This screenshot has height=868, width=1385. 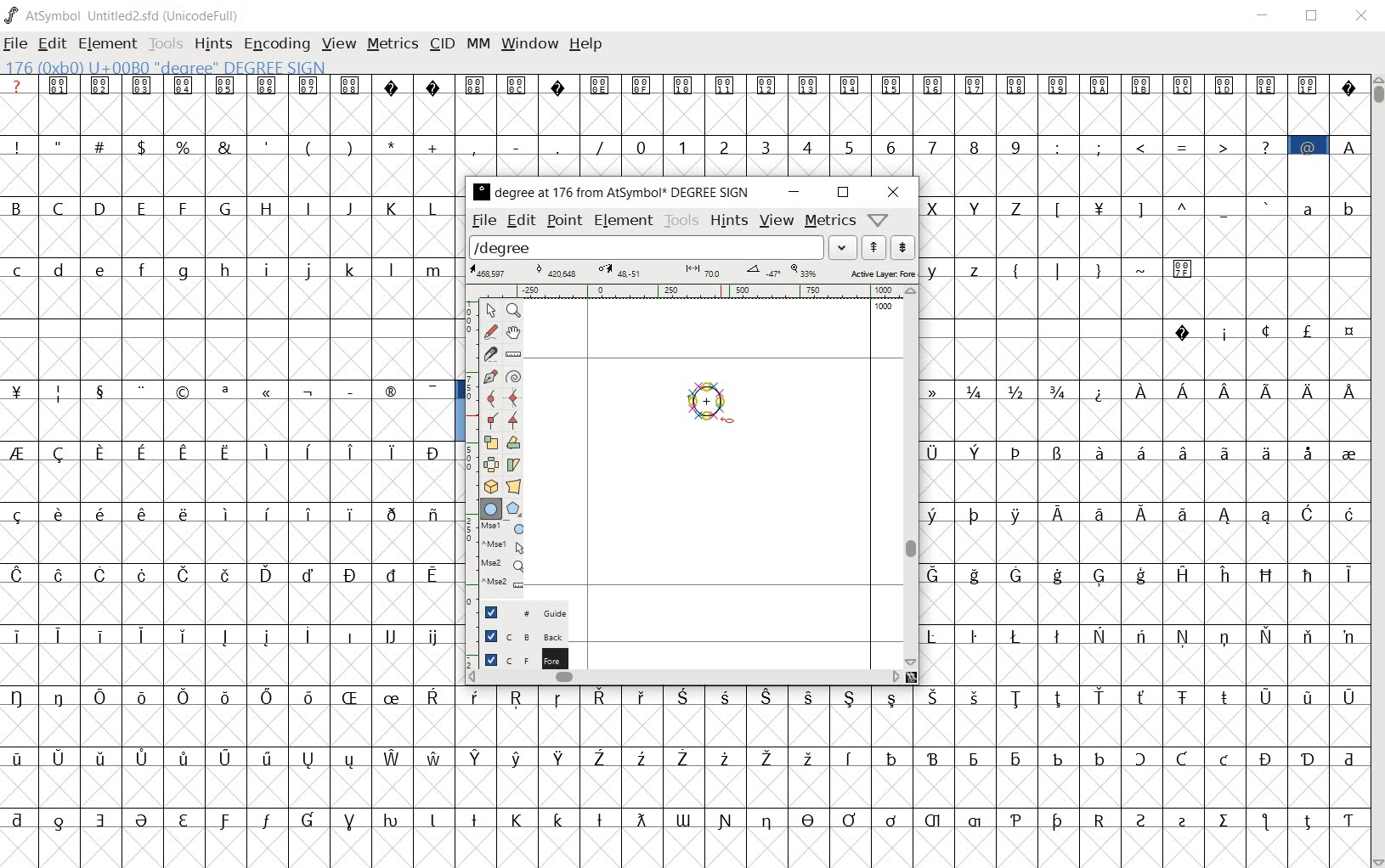 What do you see at coordinates (662, 246) in the screenshot?
I see `load word list` at bounding box center [662, 246].